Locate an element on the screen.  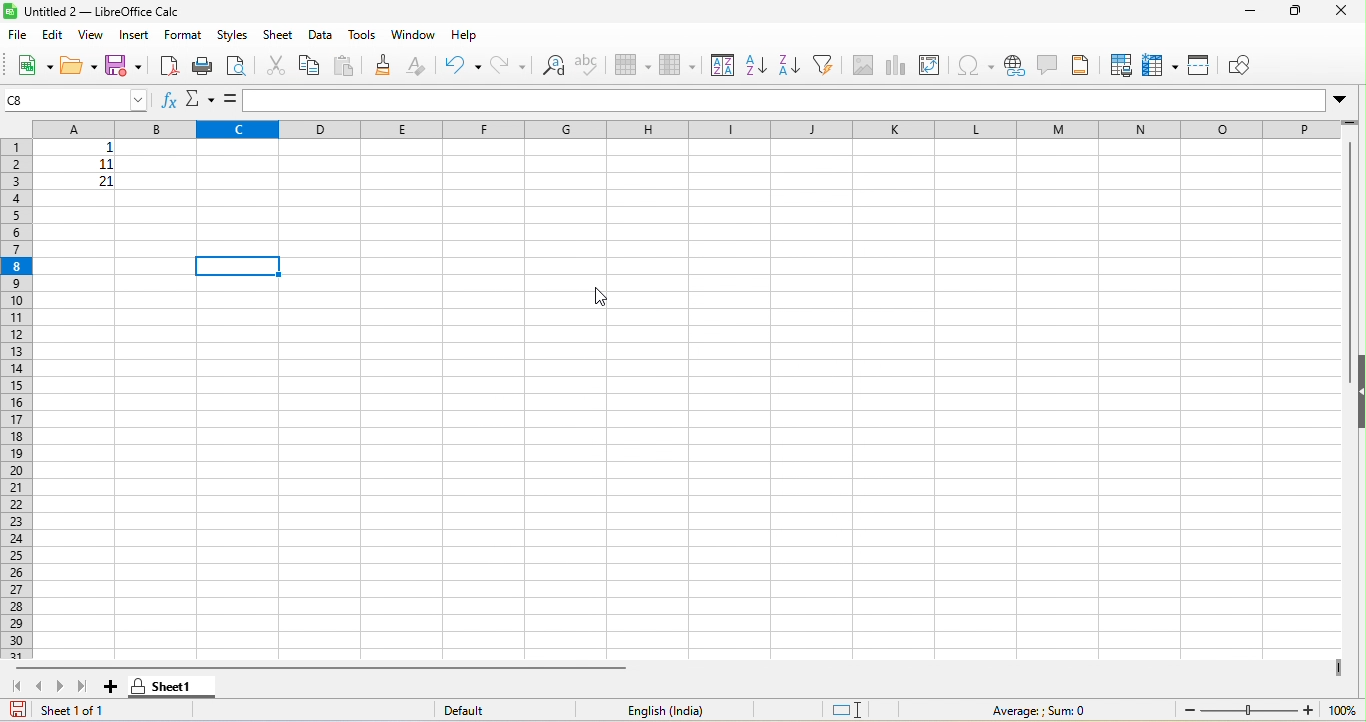
paste is located at coordinates (349, 66).